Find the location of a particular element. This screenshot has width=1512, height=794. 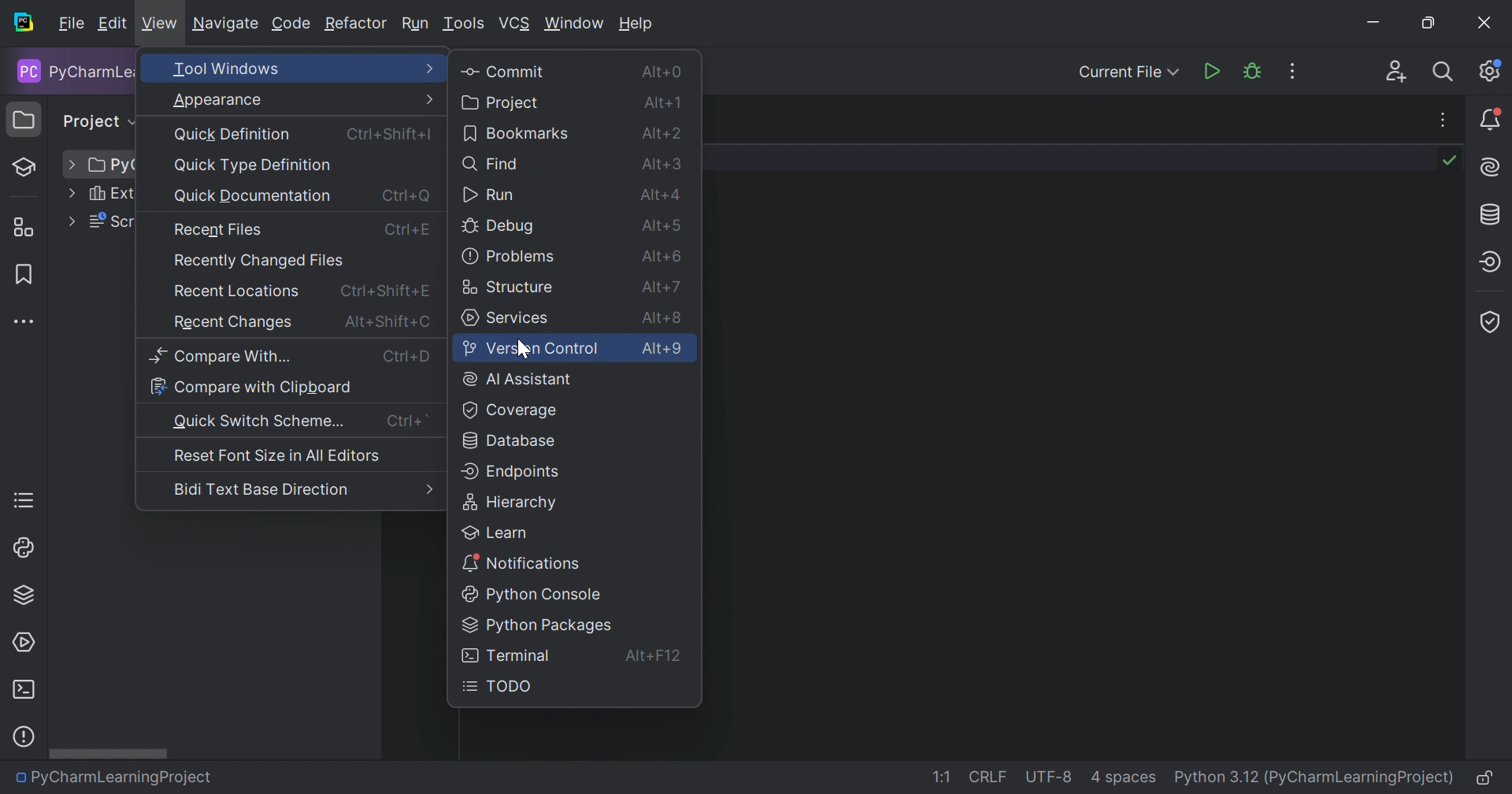

Project is located at coordinates (500, 102).